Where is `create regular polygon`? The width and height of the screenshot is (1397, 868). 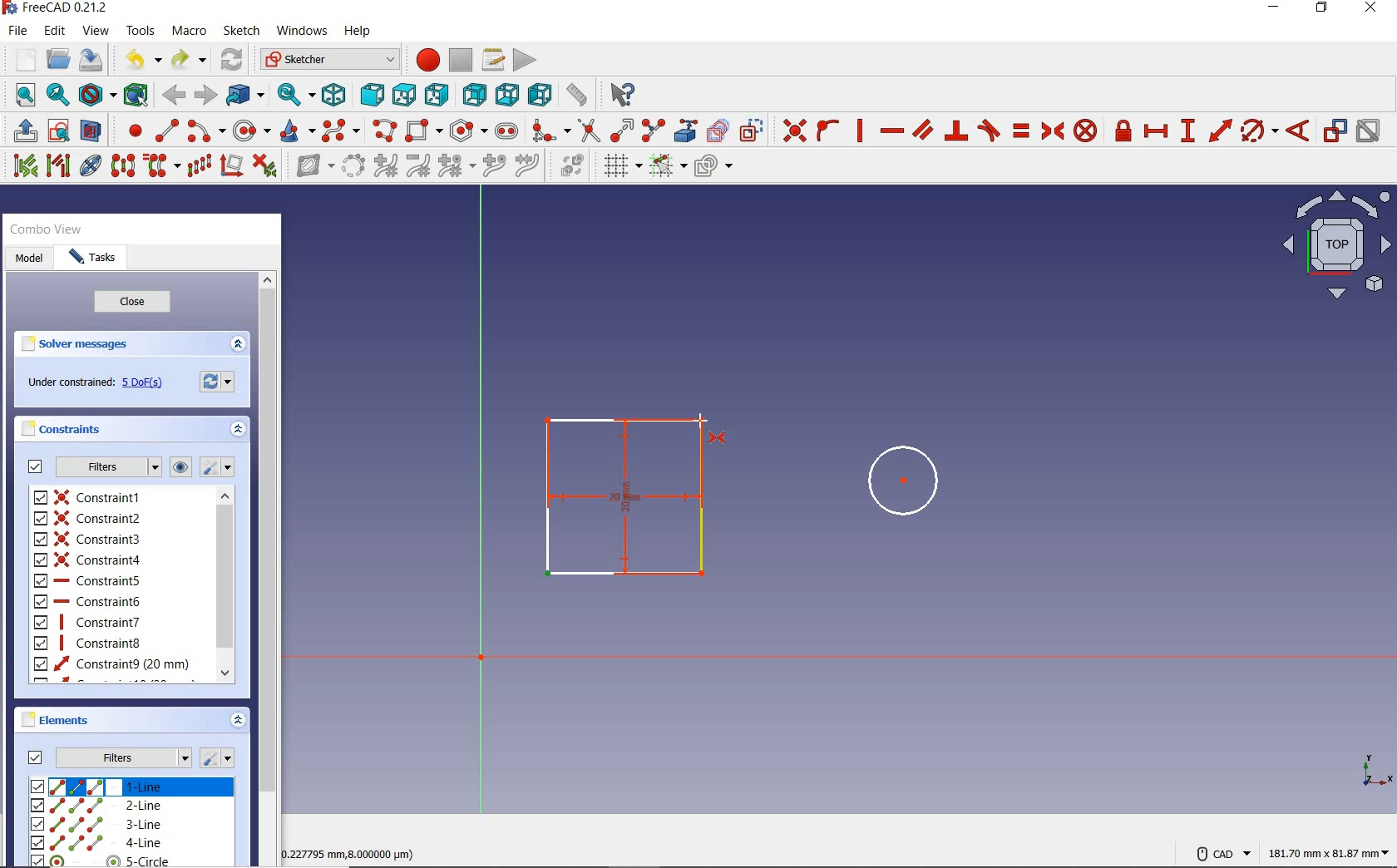 create regular polygon is located at coordinates (468, 129).